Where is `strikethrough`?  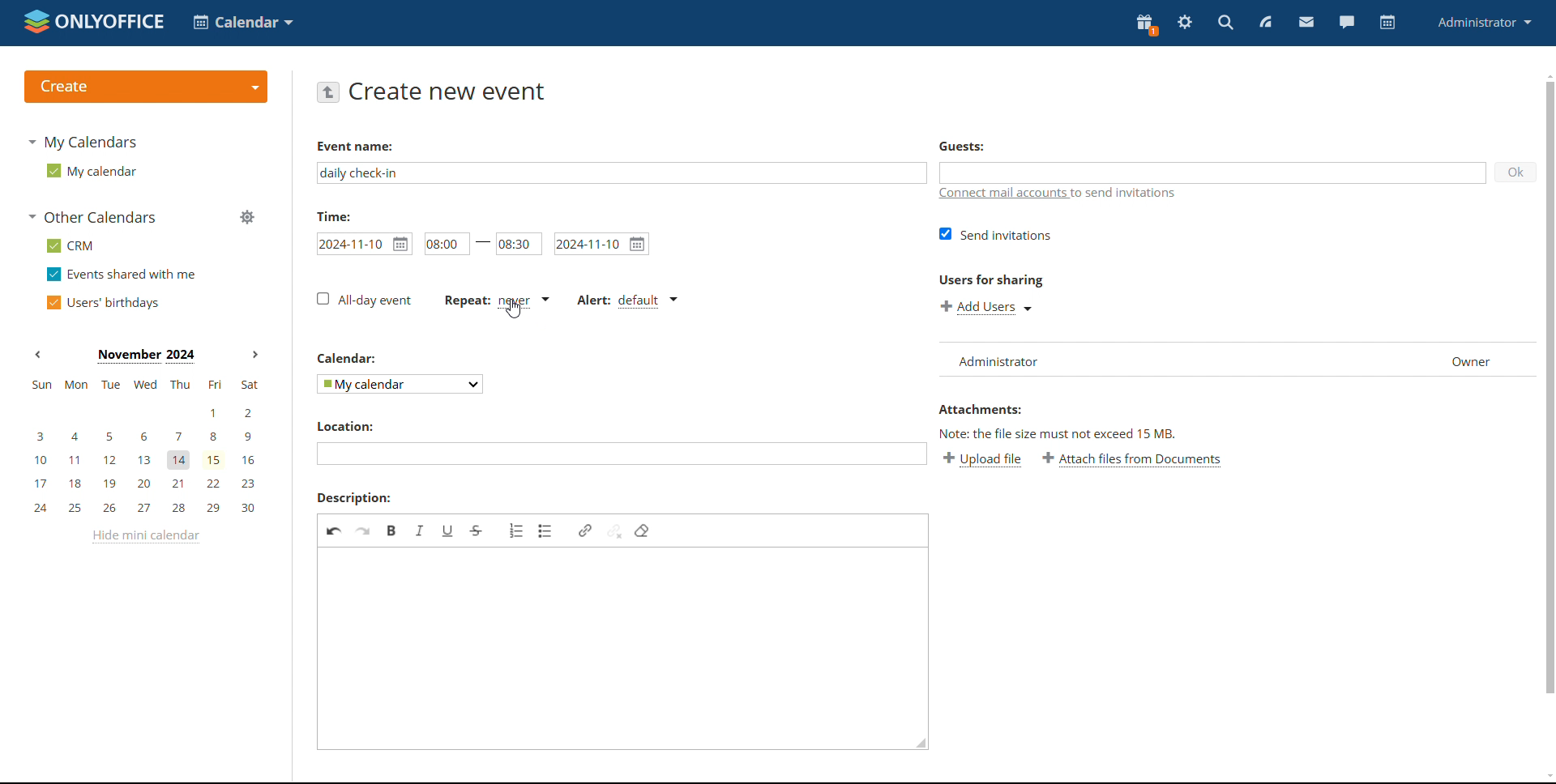 strikethrough is located at coordinates (477, 530).